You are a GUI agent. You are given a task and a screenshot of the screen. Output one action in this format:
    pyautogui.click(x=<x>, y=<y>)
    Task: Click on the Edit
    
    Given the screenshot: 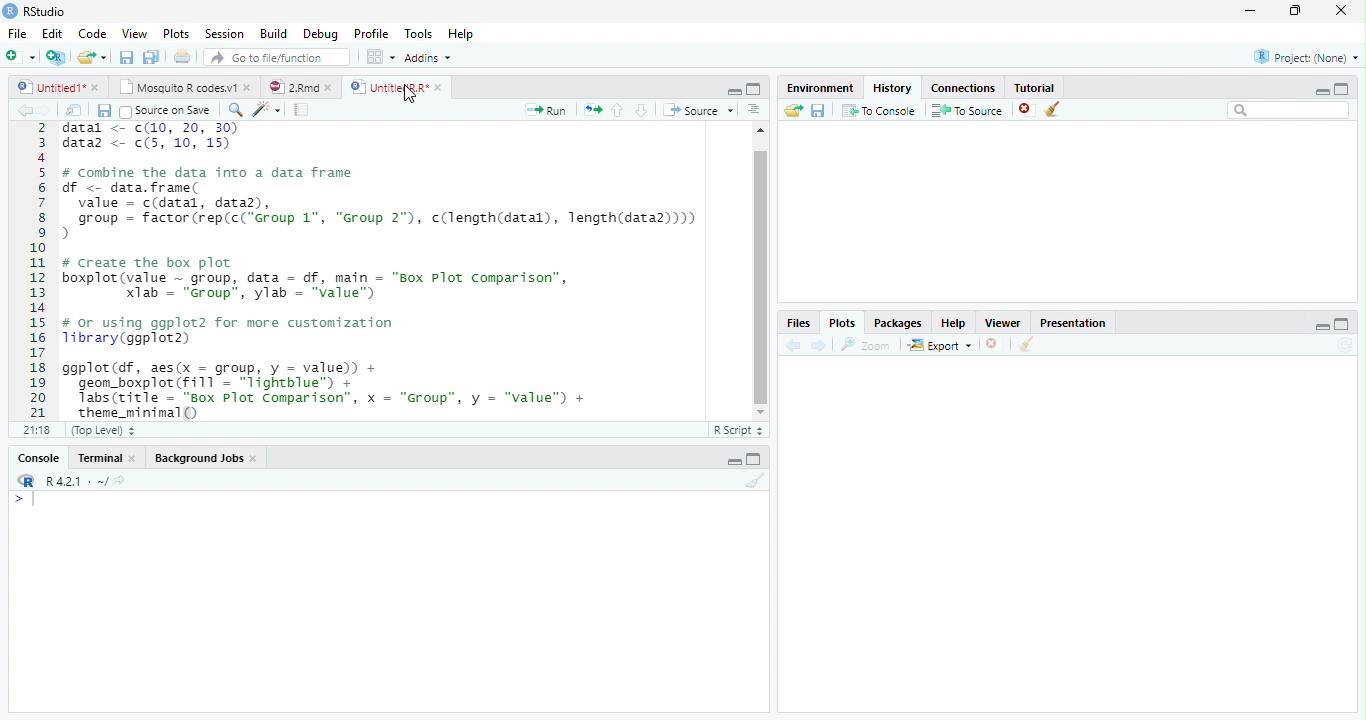 What is the action you would take?
    pyautogui.click(x=50, y=33)
    